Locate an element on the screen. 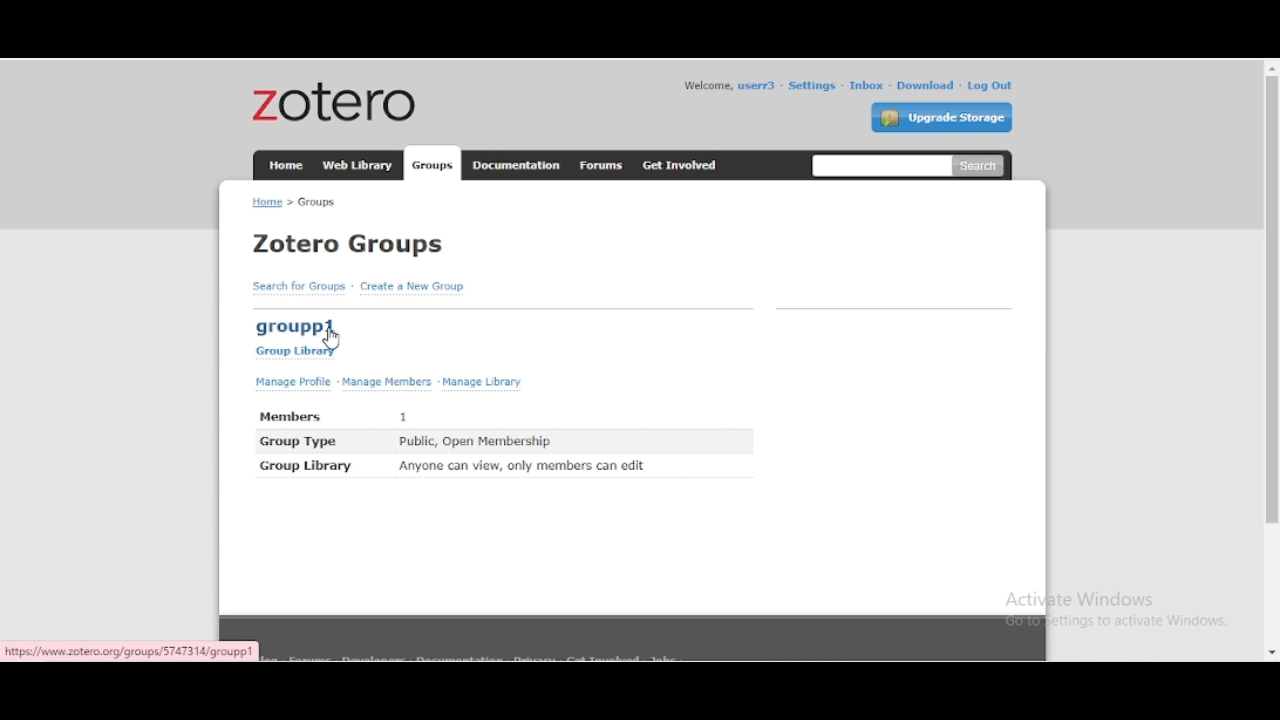 Image resolution: width=1280 pixels, height=720 pixels. group library is located at coordinates (294, 353).